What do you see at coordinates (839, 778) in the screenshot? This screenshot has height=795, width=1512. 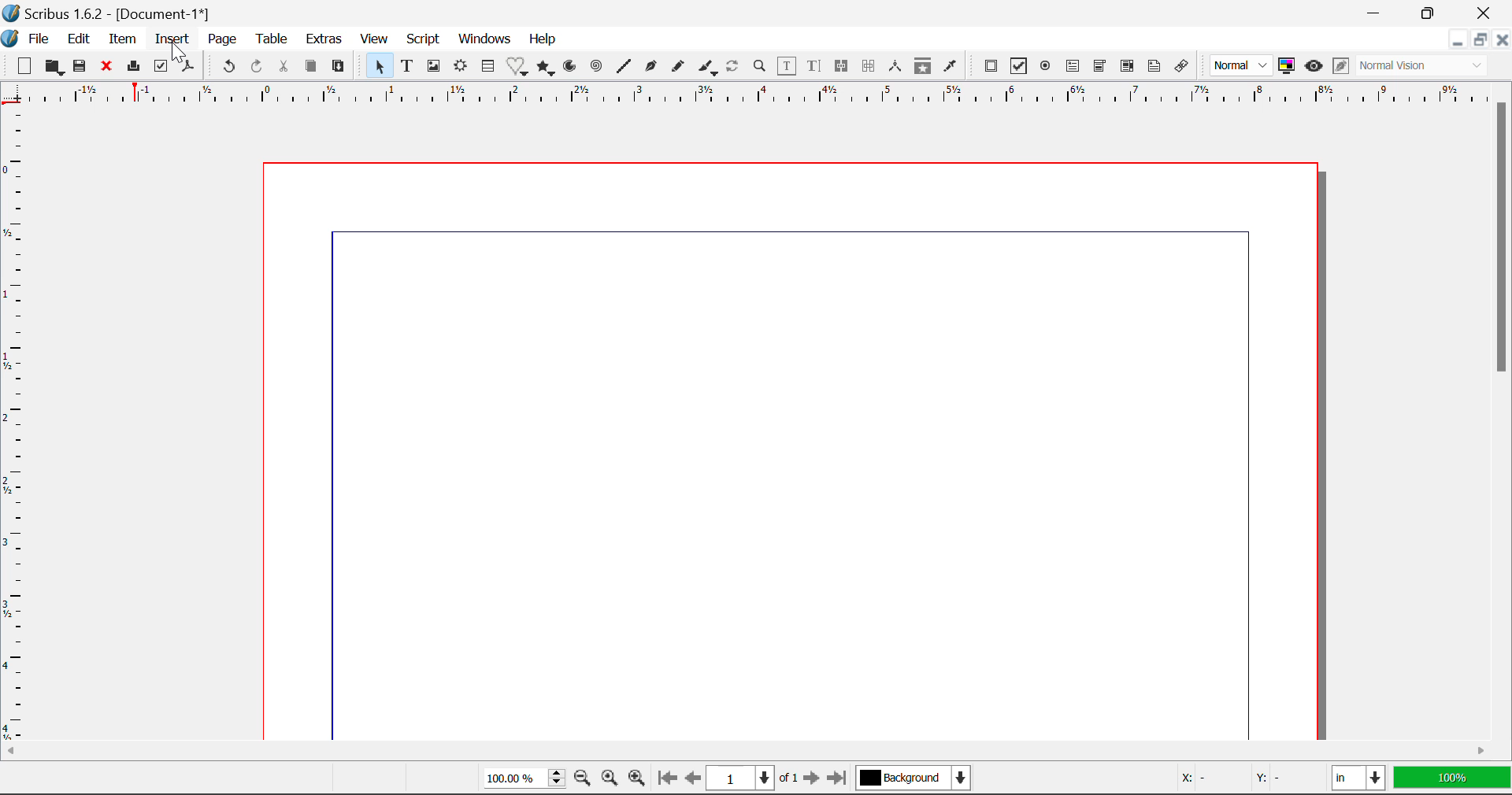 I see `Last Page` at bounding box center [839, 778].